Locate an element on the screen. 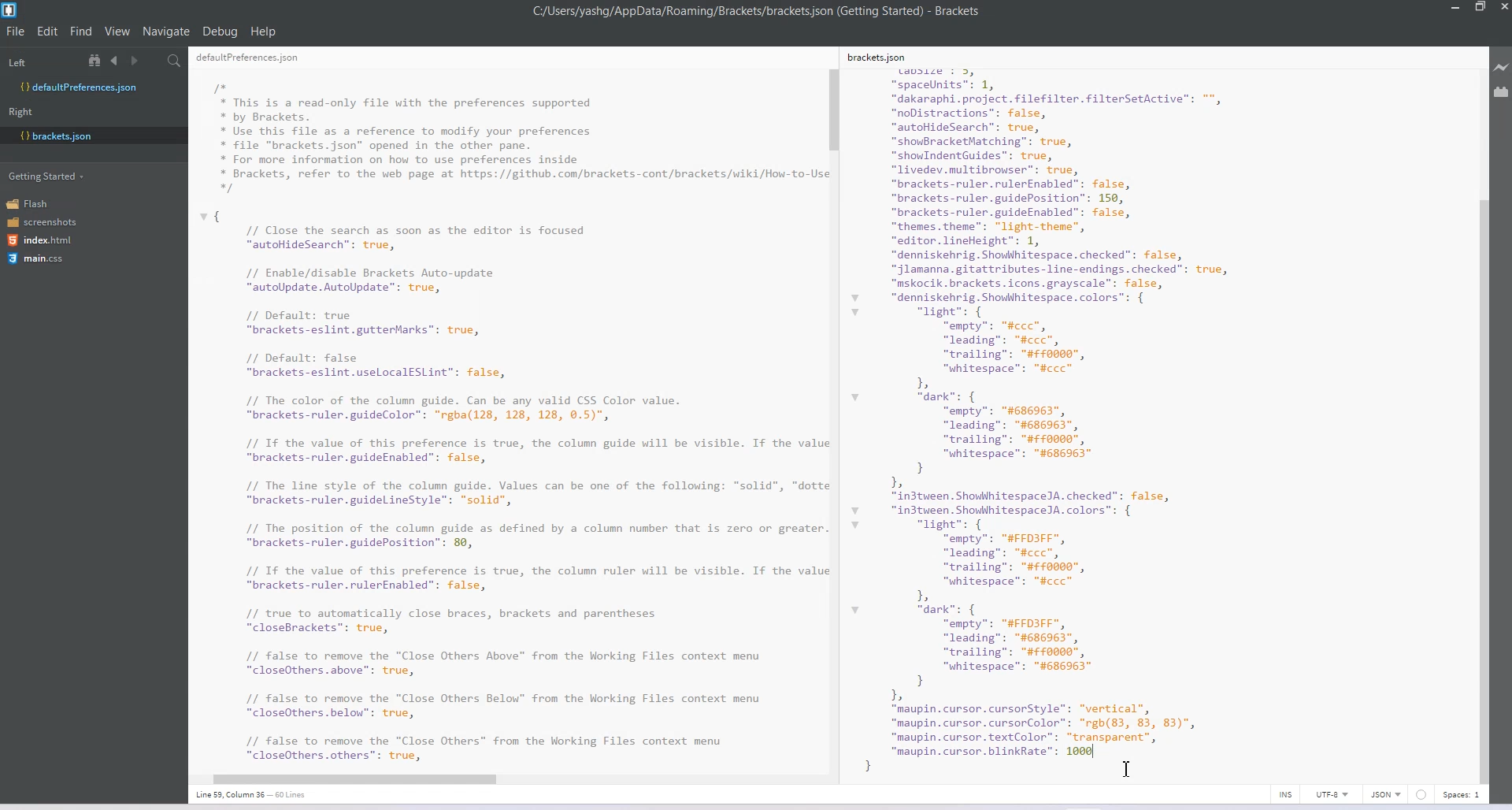  Line 36, Column 13- 60 lines is located at coordinates (259, 795).